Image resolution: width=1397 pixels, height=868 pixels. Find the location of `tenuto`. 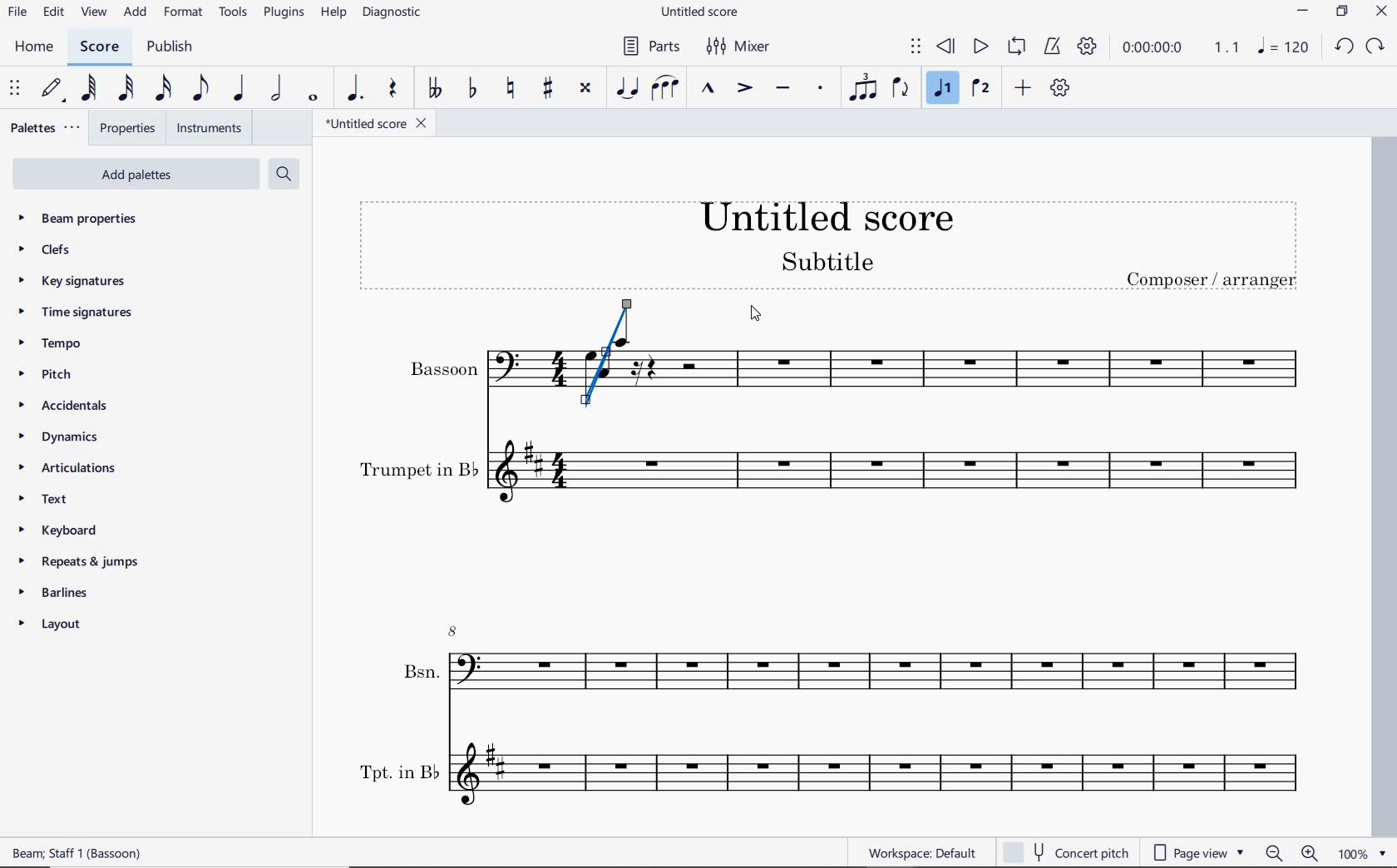

tenuto is located at coordinates (787, 88).